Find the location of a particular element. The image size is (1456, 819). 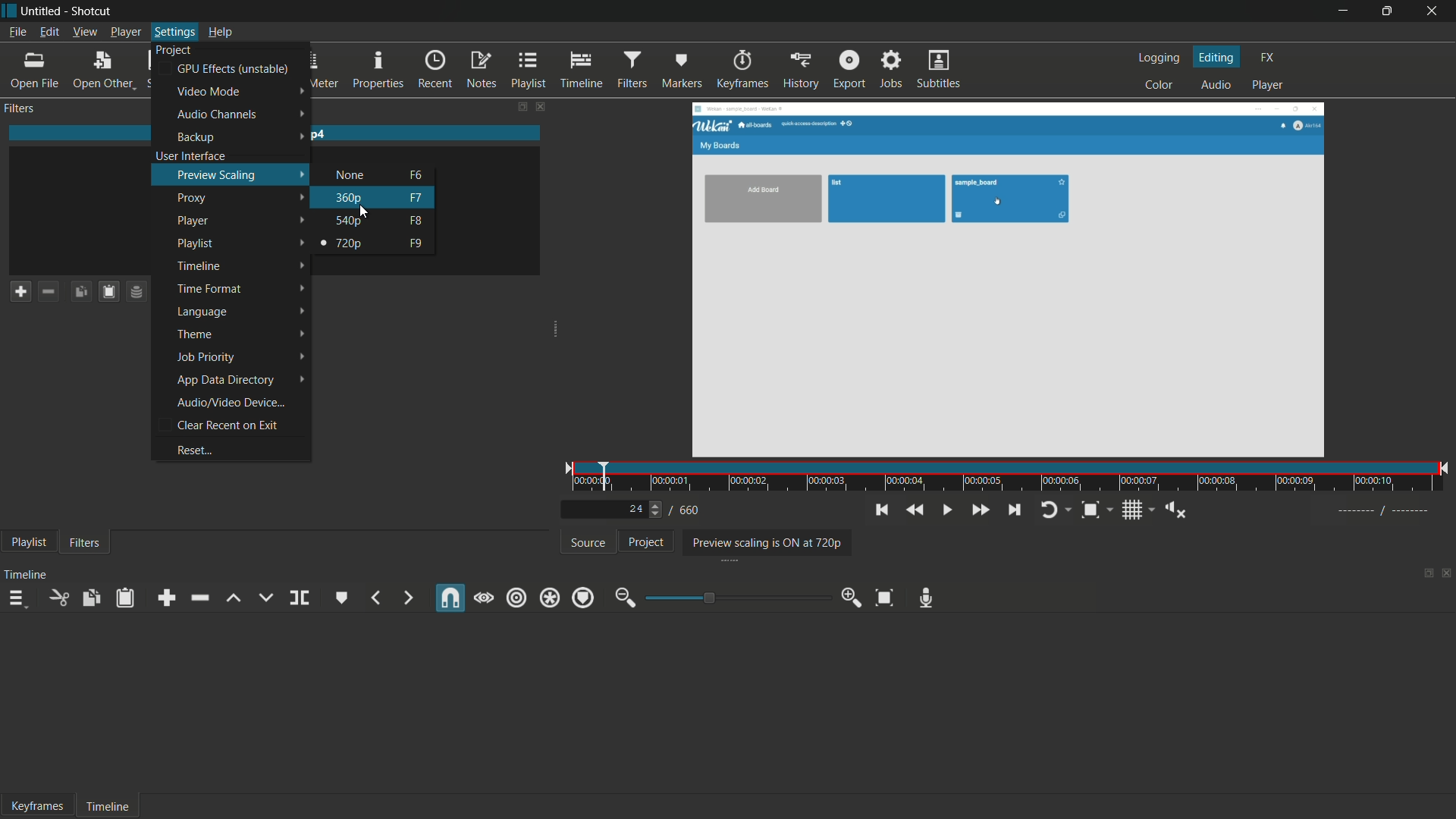

change layout is located at coordinates (516, 106).